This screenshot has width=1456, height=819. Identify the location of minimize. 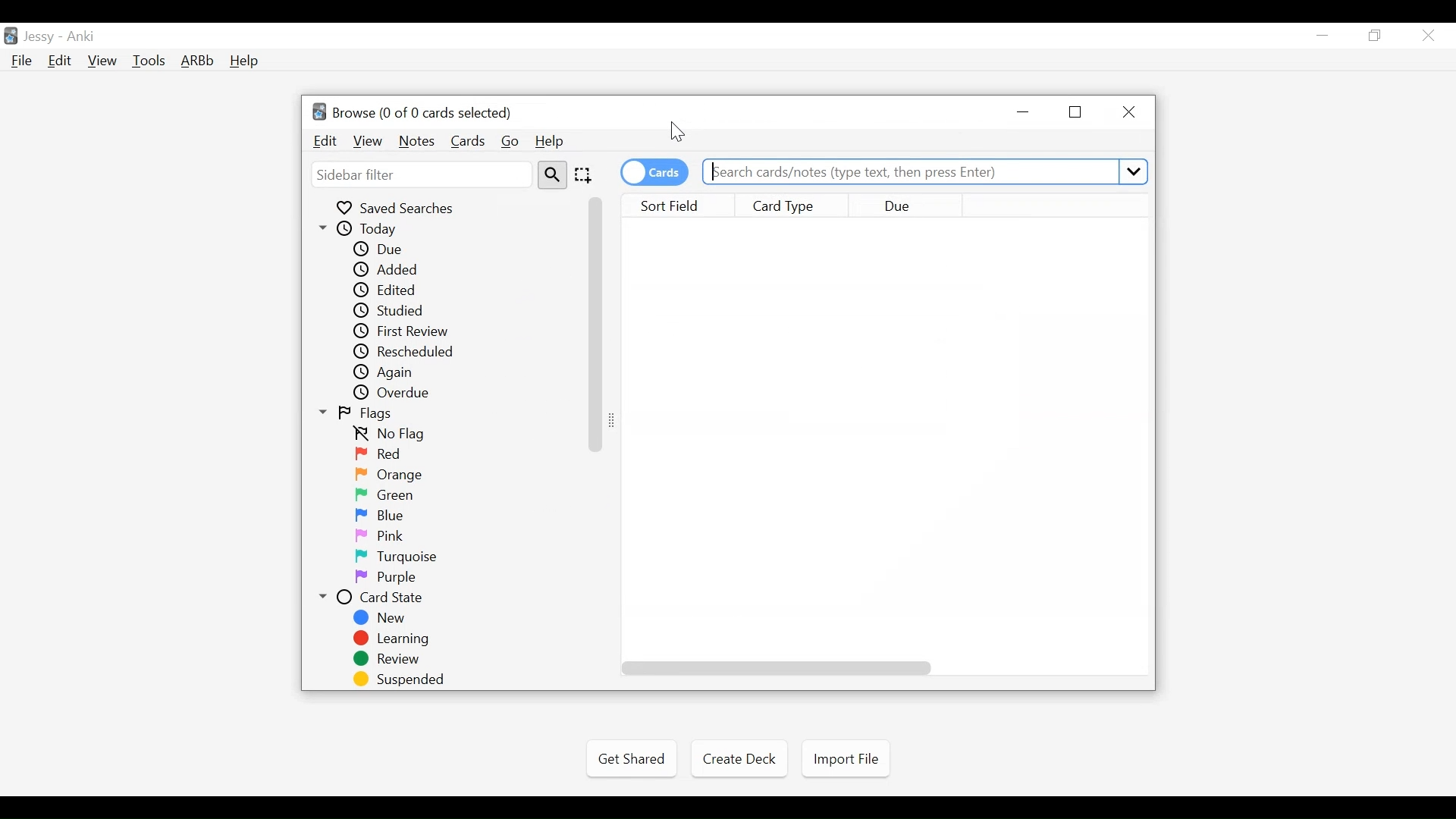
(1325, 35).